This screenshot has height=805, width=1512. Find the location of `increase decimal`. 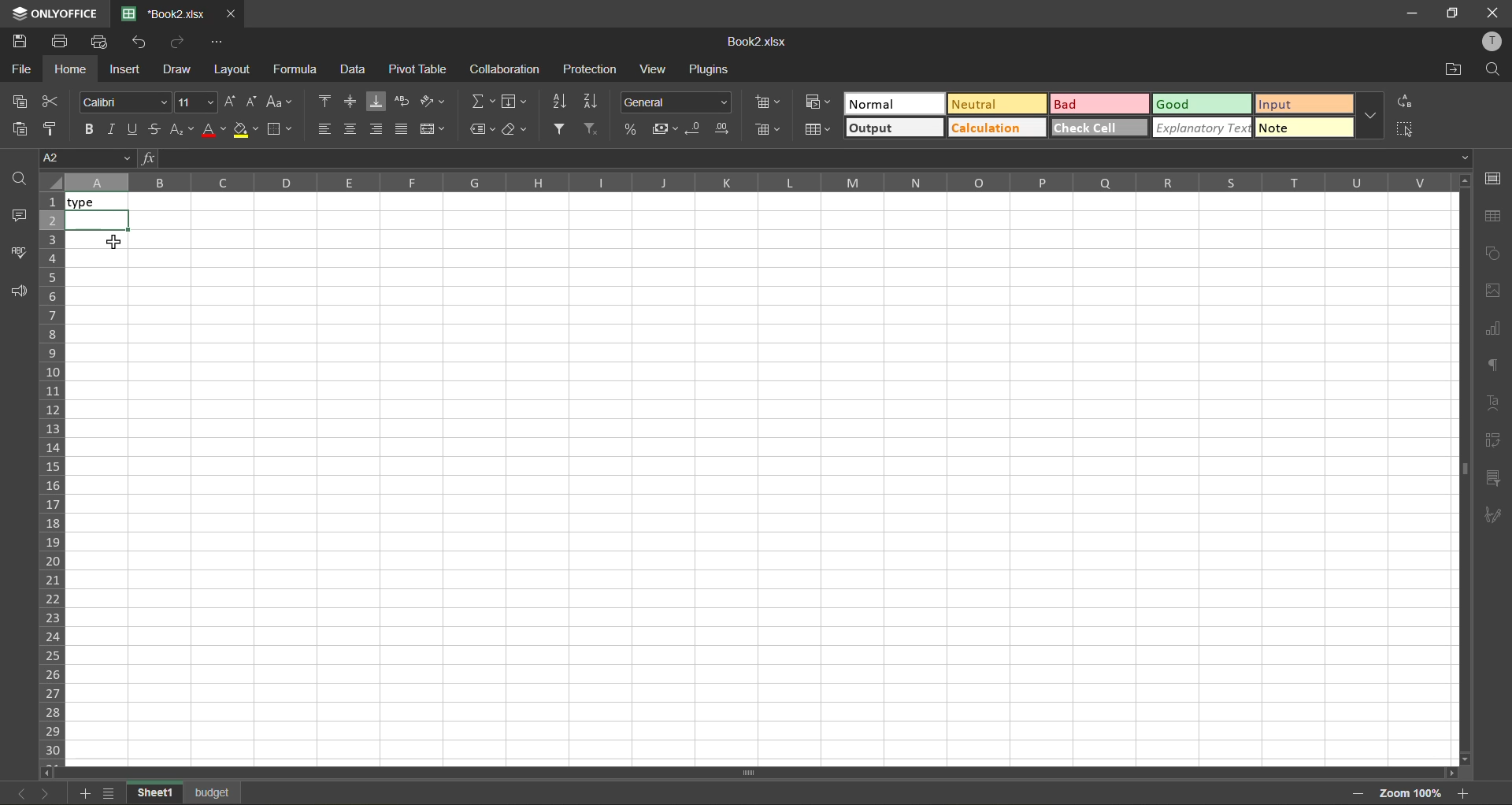

increase decimal is located at coordinates (727, 130).